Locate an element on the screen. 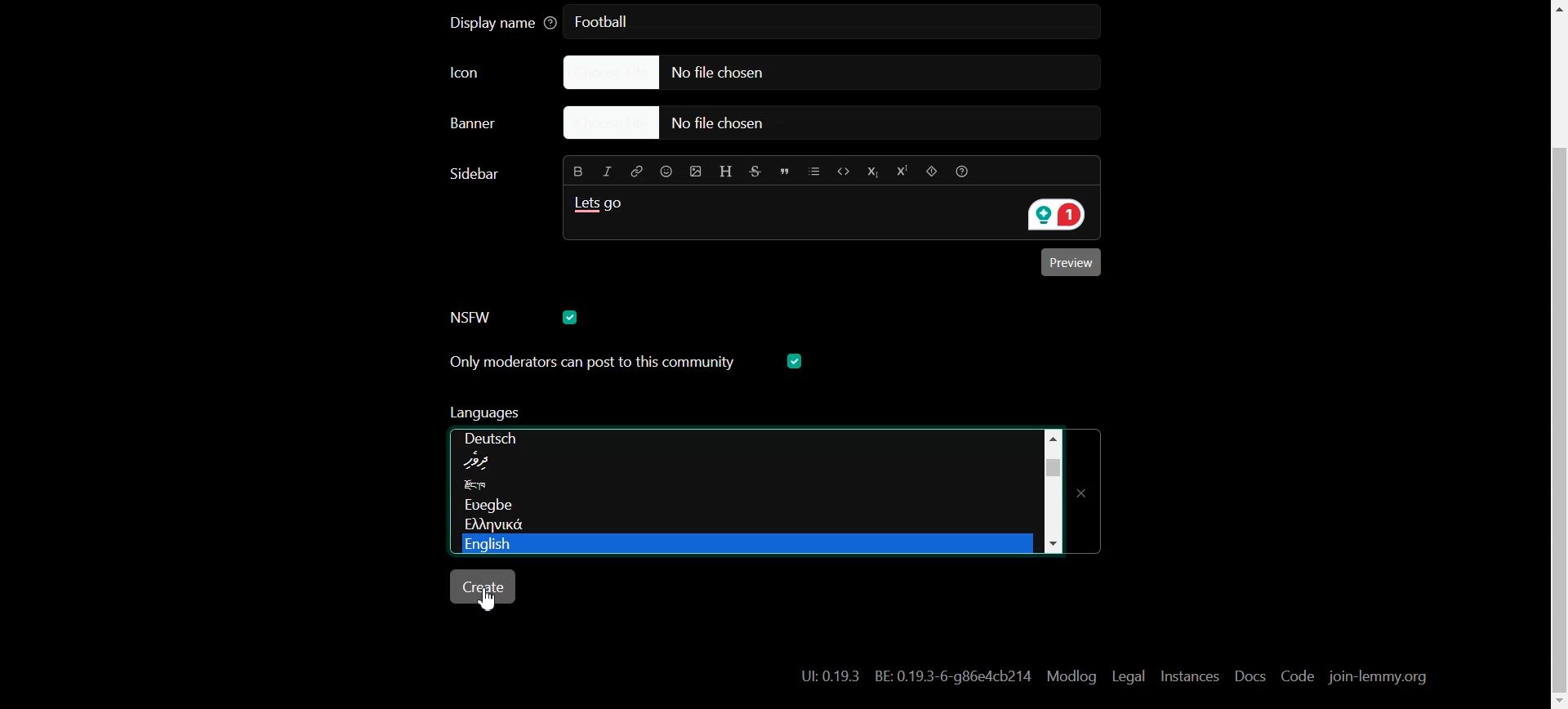  Hyperlink is located at coordinates (637, 171).